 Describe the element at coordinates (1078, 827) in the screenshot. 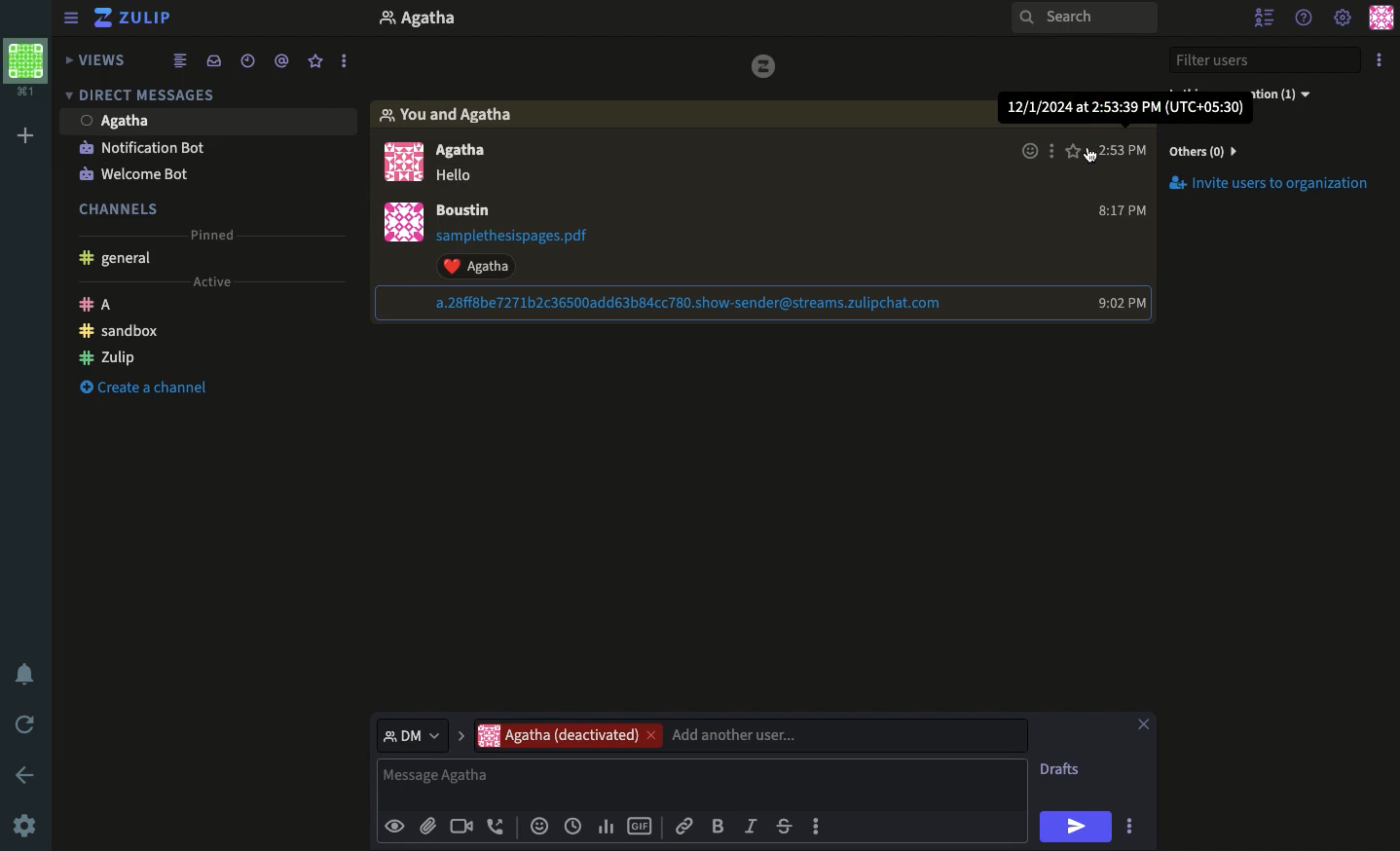

I see `Send` at that location.